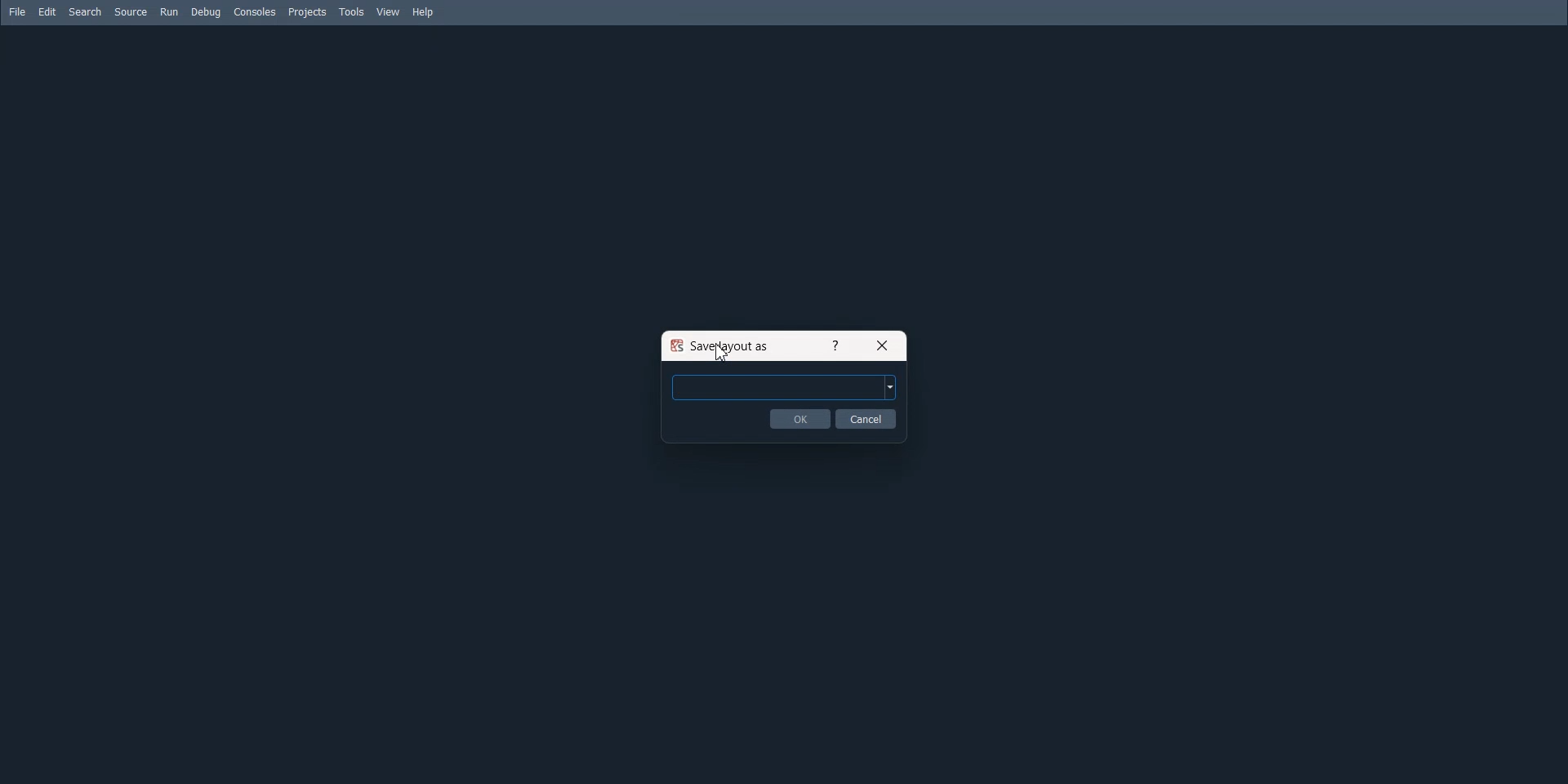 The width and height of the screenshot is (1568, 784). What do you see at coordinates (47, 11) in the screenshot?
I see `Edit` at bounding box center [47, 11].